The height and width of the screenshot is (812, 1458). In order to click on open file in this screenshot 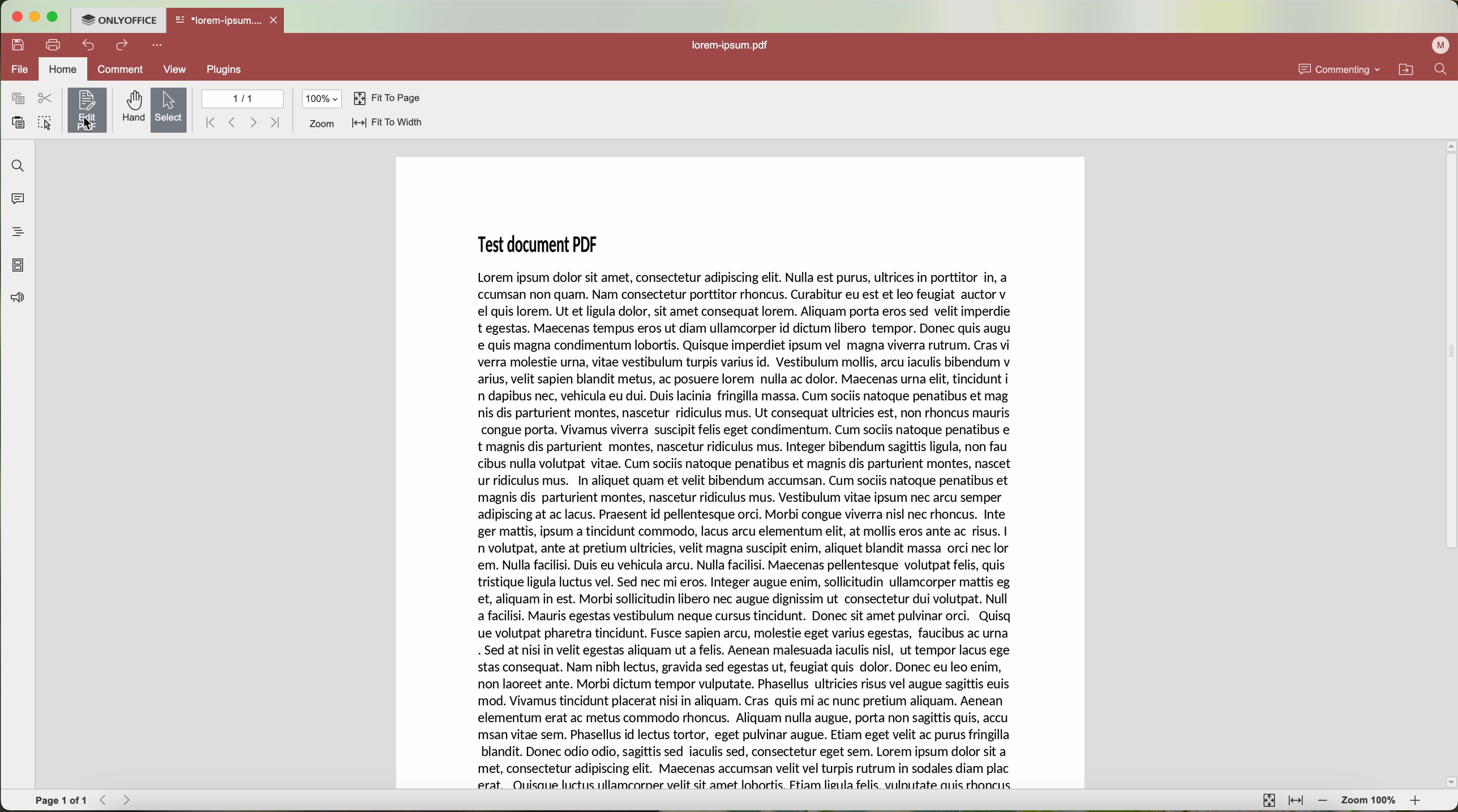, I will do `click(227, 21)`.